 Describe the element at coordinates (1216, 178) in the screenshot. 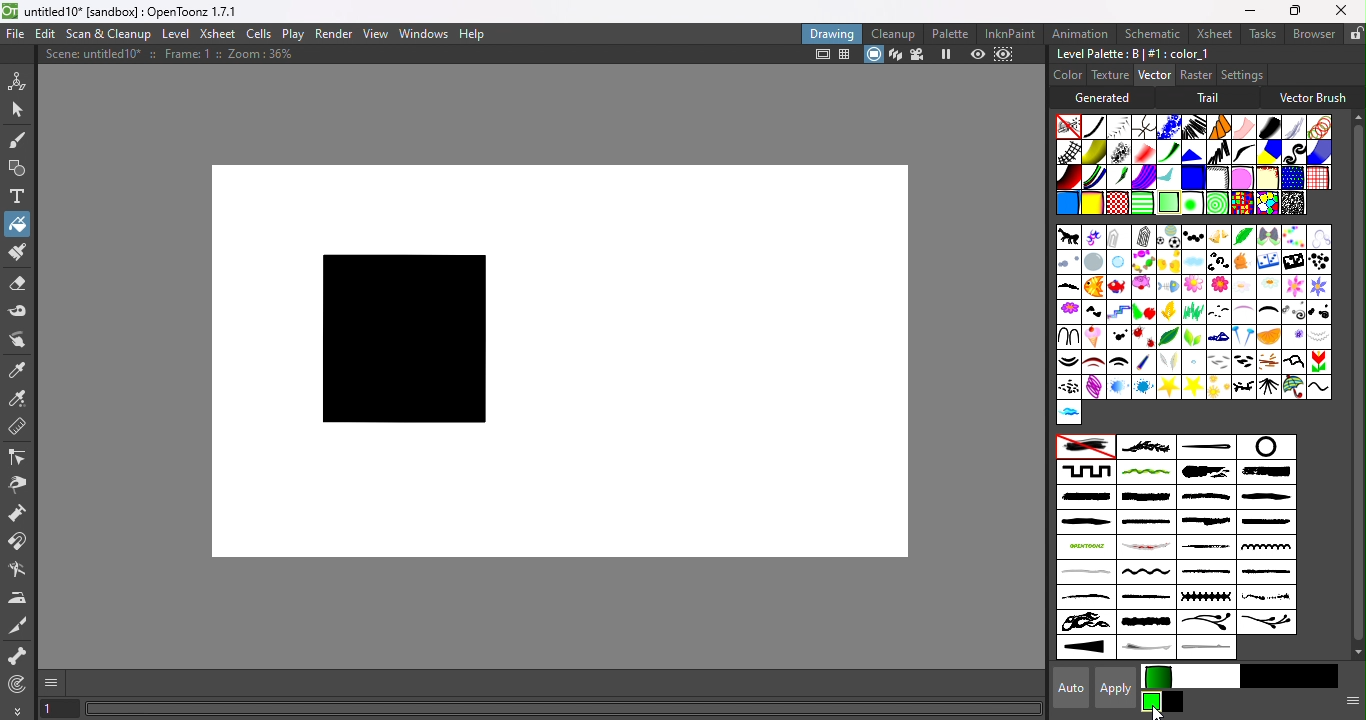

I see `Hatched shading` at that location.